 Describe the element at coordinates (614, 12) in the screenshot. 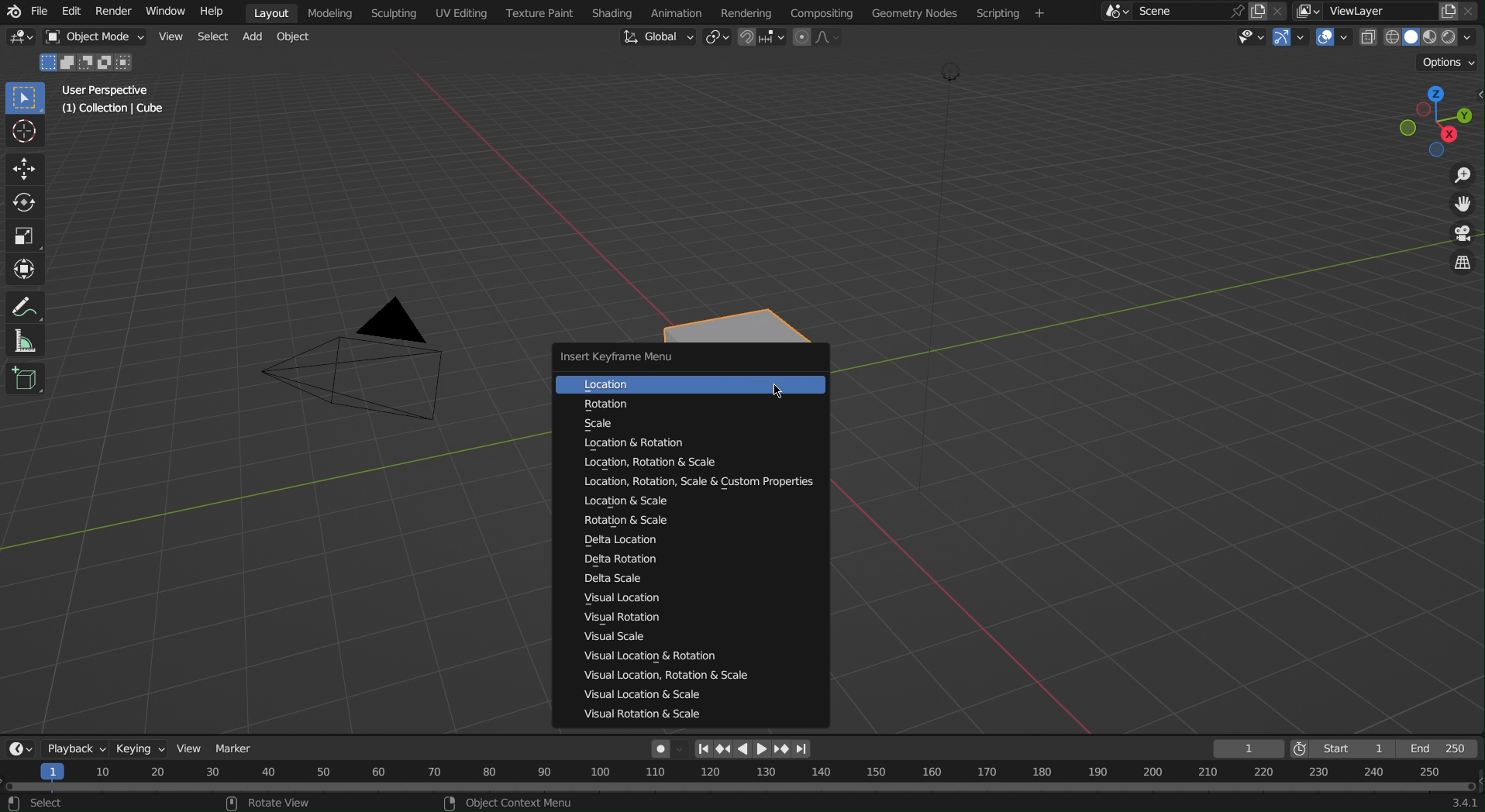

I see `Shading` at that location.